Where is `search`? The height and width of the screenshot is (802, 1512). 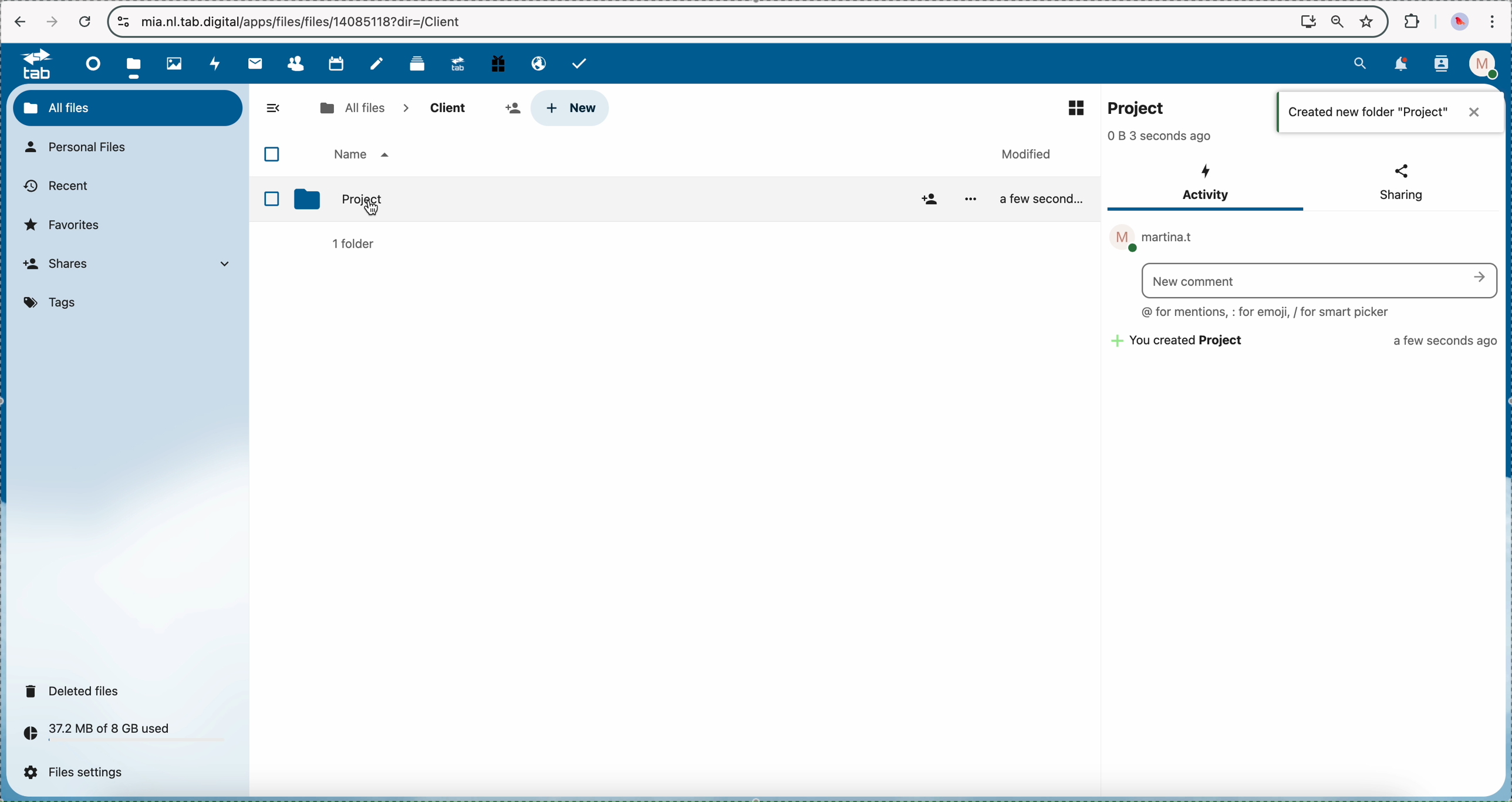
search is located at coordinates (1360, 62).